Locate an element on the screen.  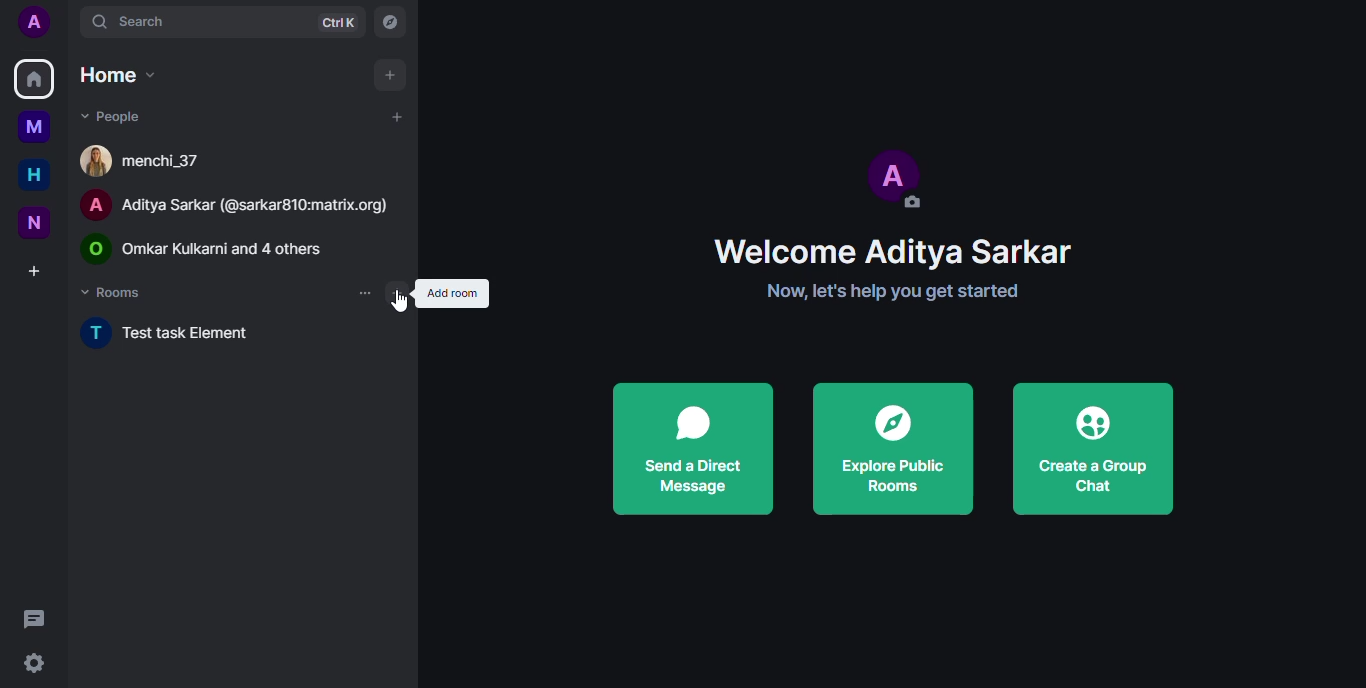
myspace is located at coordinates (34, 127).